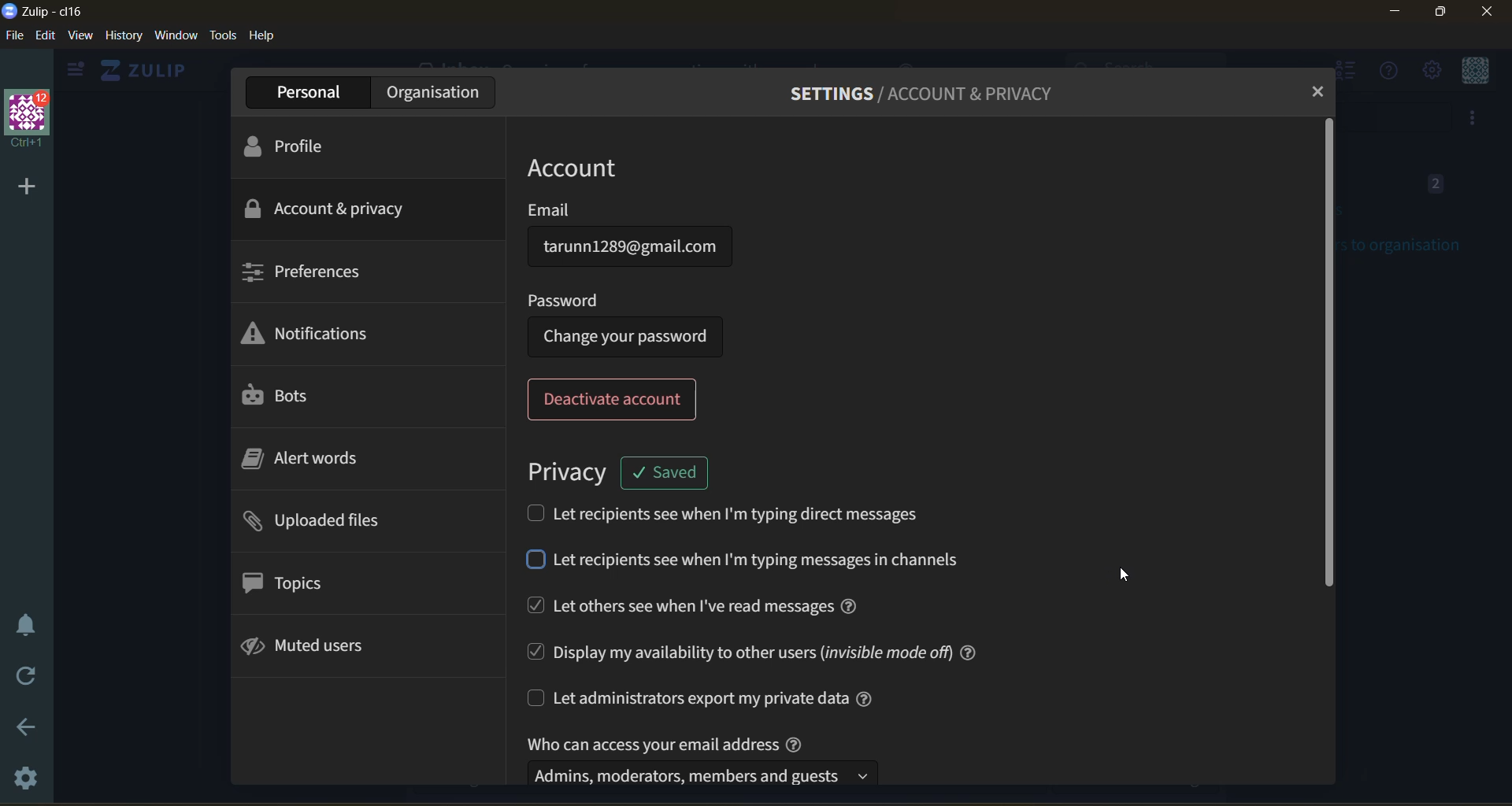 Image resolution: width=1512 pixels, height=806 pixels. Describe the element at coordinates (736, 512) in the screenshot. I see `(unchecked) let recepients see when I'm typing direct messages` at that location.